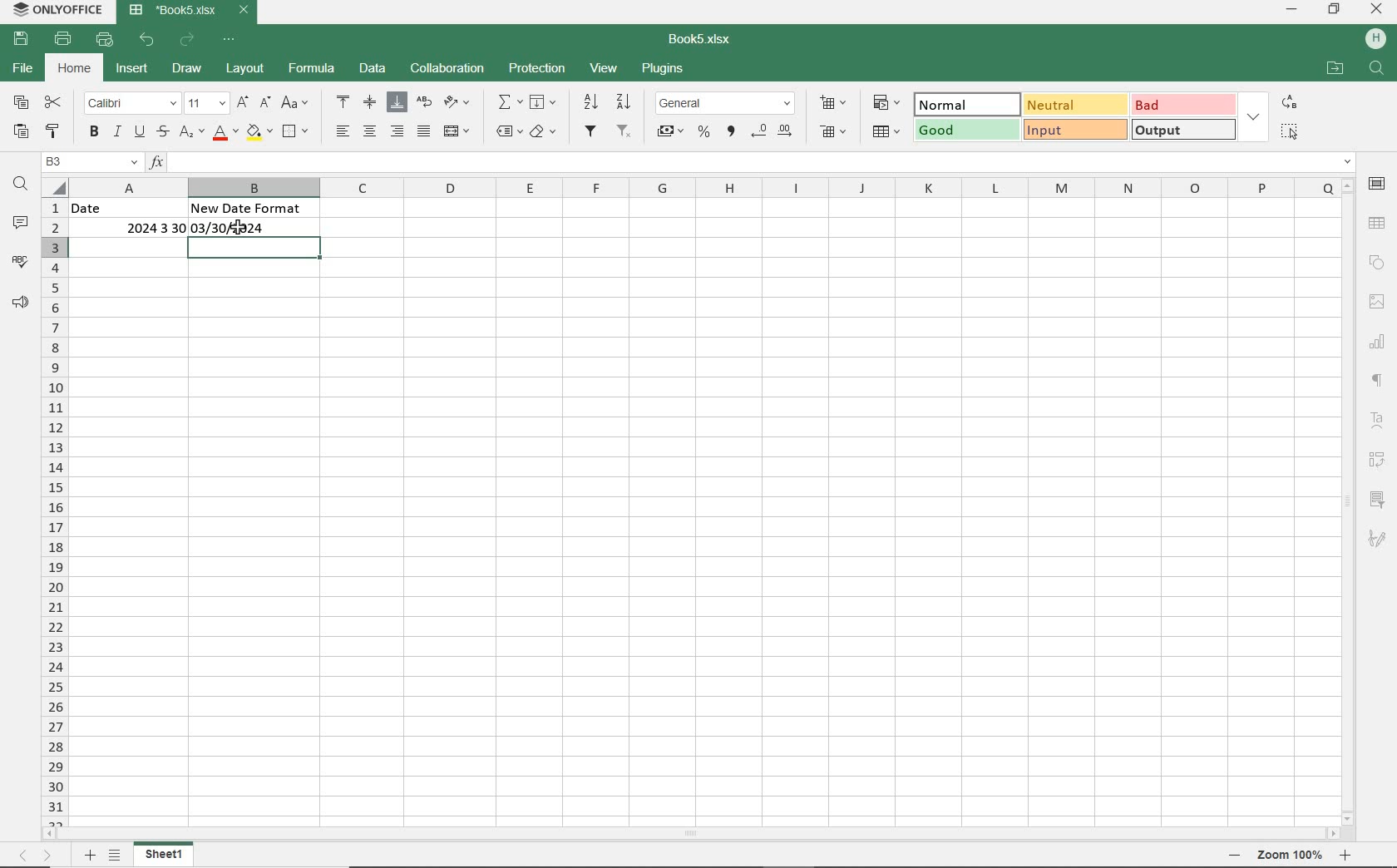  I want to click on SHAPE, so click(1377, 264).